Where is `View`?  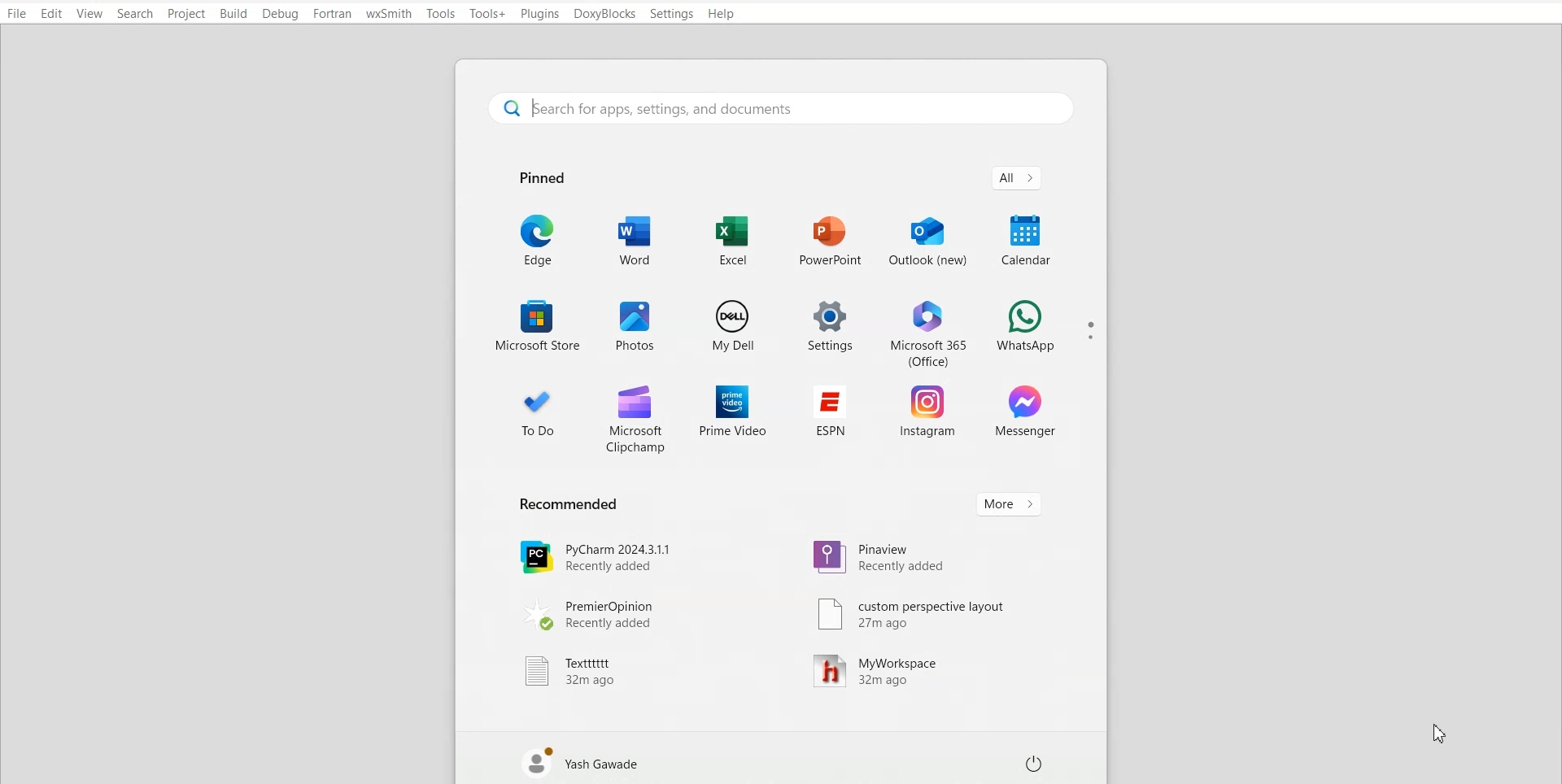 View is located at coordinates (89, 14).